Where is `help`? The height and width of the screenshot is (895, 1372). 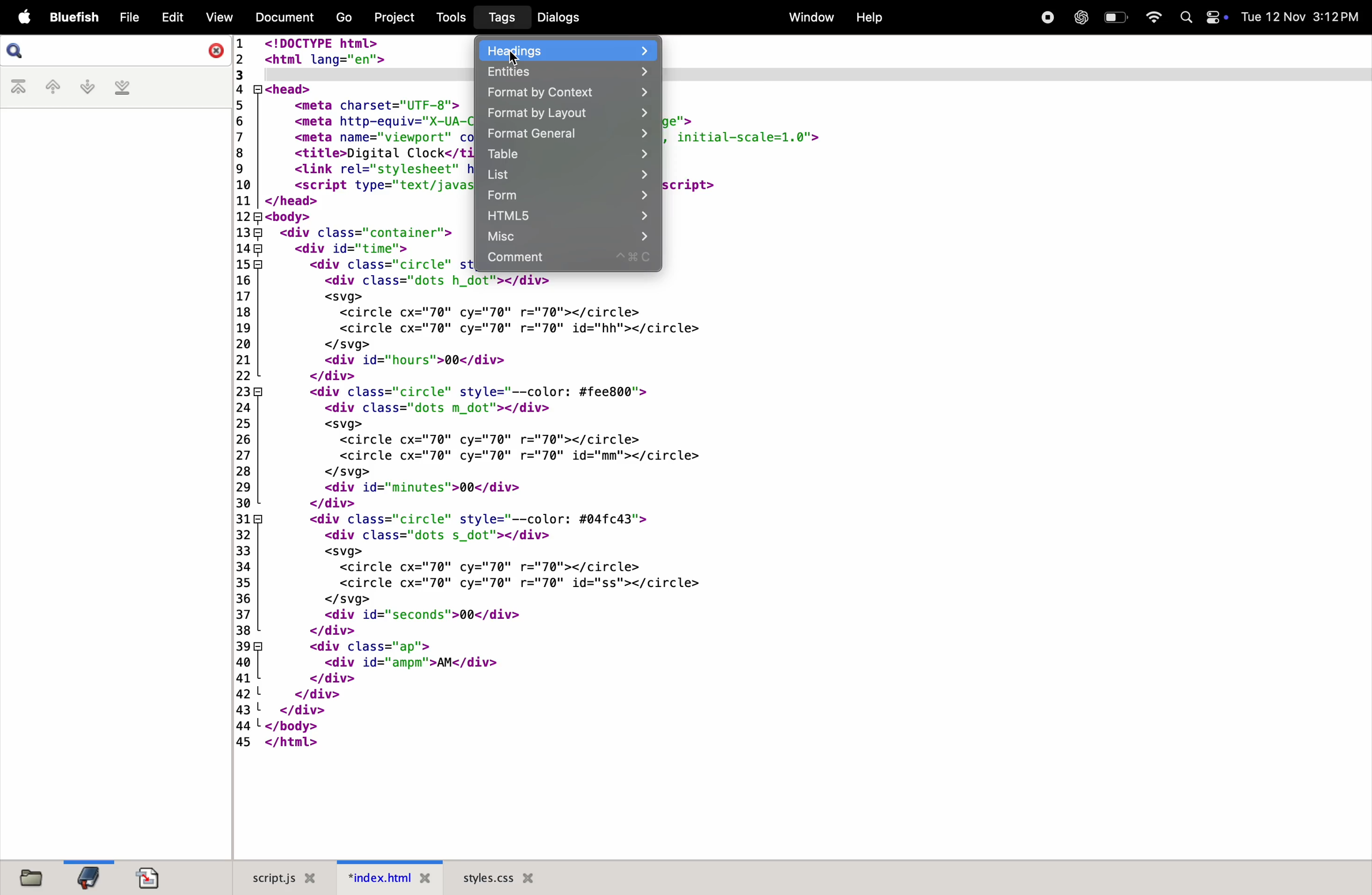
help is located at coordinates (868, 18).